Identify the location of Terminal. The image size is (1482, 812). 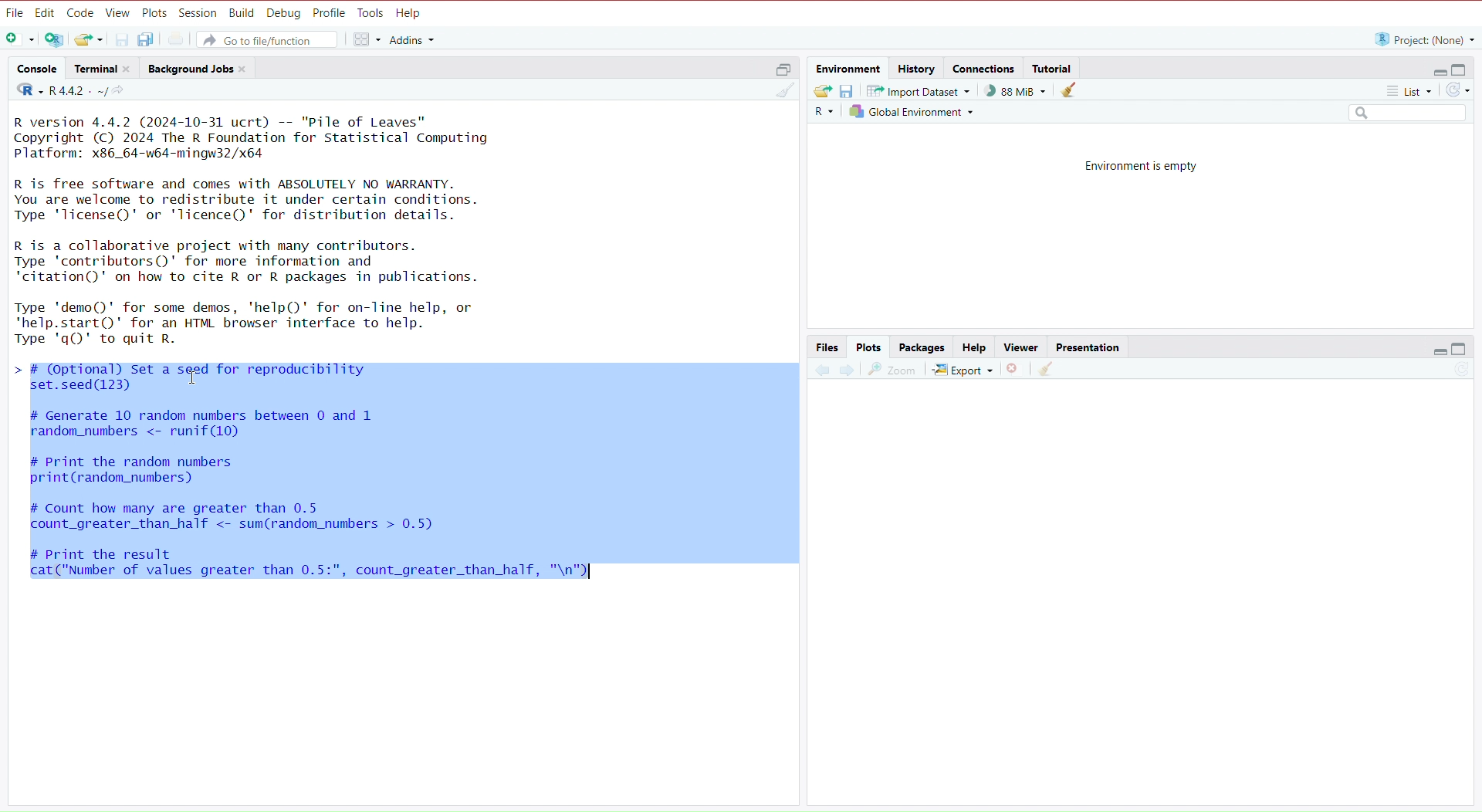
(100, 68).